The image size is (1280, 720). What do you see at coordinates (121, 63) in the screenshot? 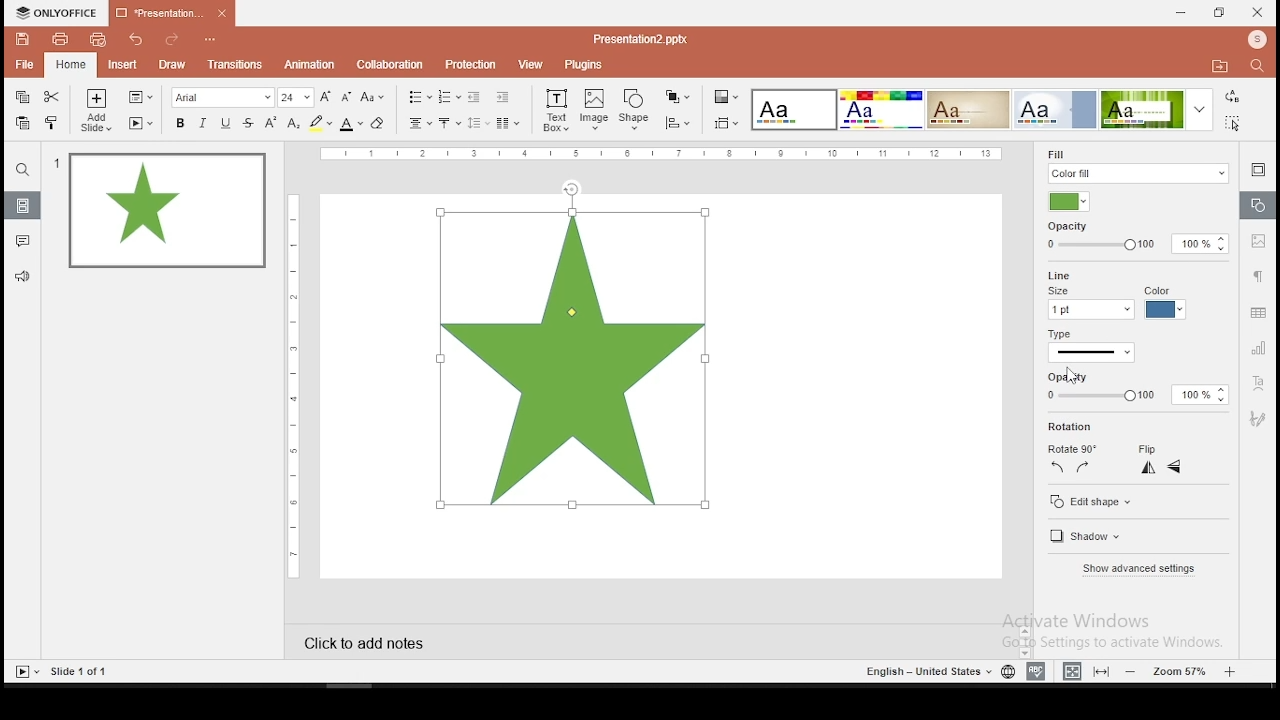
I see `insert` at bounding box center [121, 63].